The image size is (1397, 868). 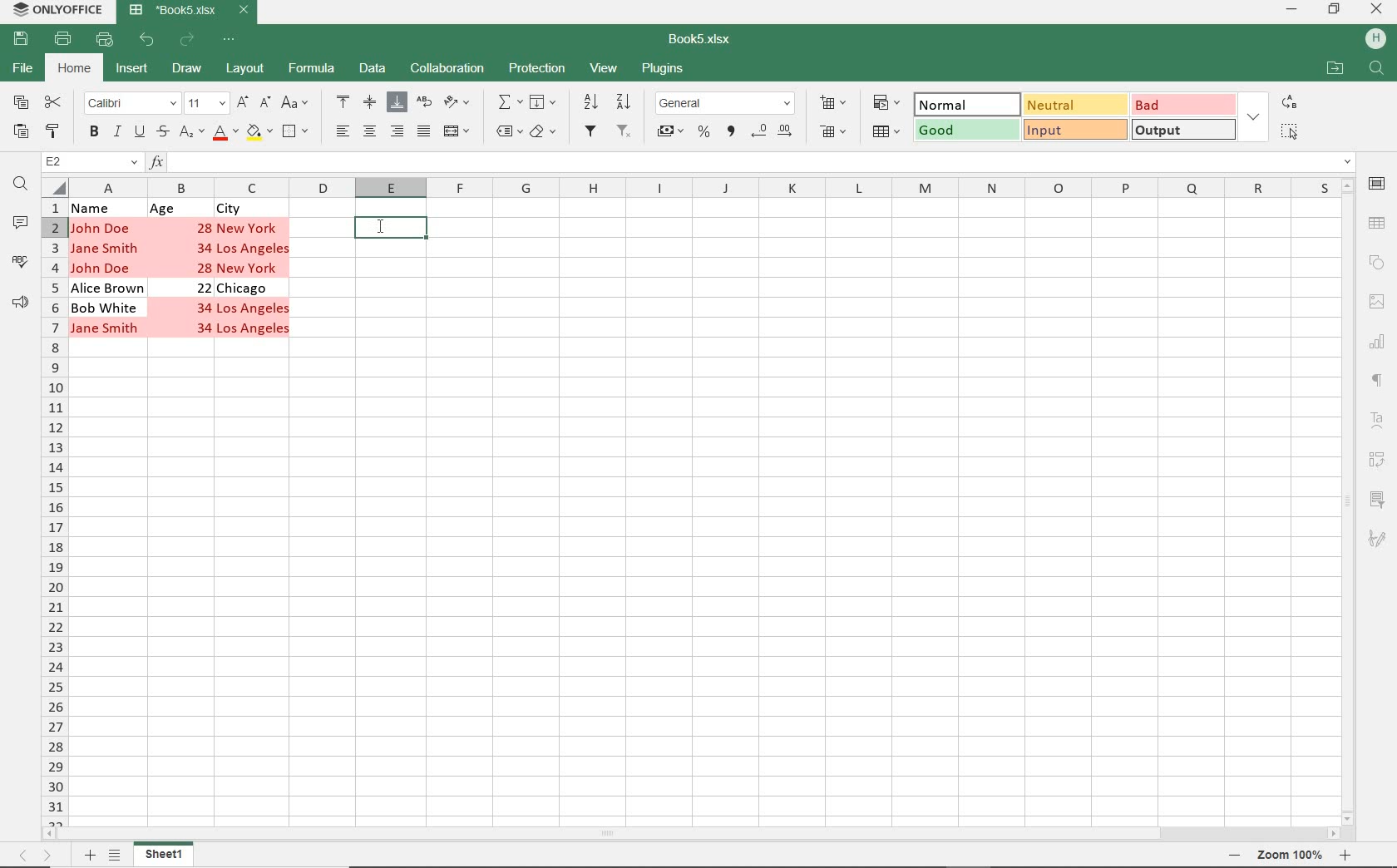 What do you see at coordinates (207, 268) in the screenshot?
I see `28` at bounding box center [207, 268].